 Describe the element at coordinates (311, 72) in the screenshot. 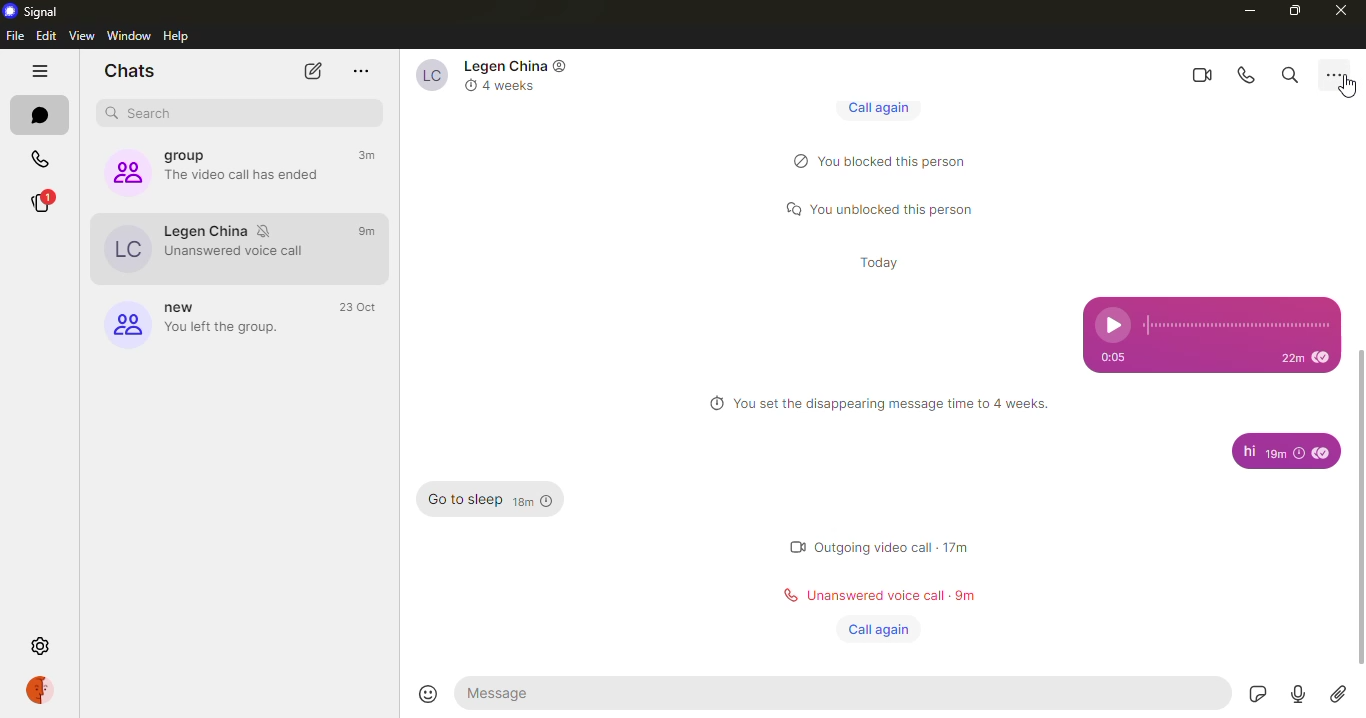

I see `new chat` at that location.